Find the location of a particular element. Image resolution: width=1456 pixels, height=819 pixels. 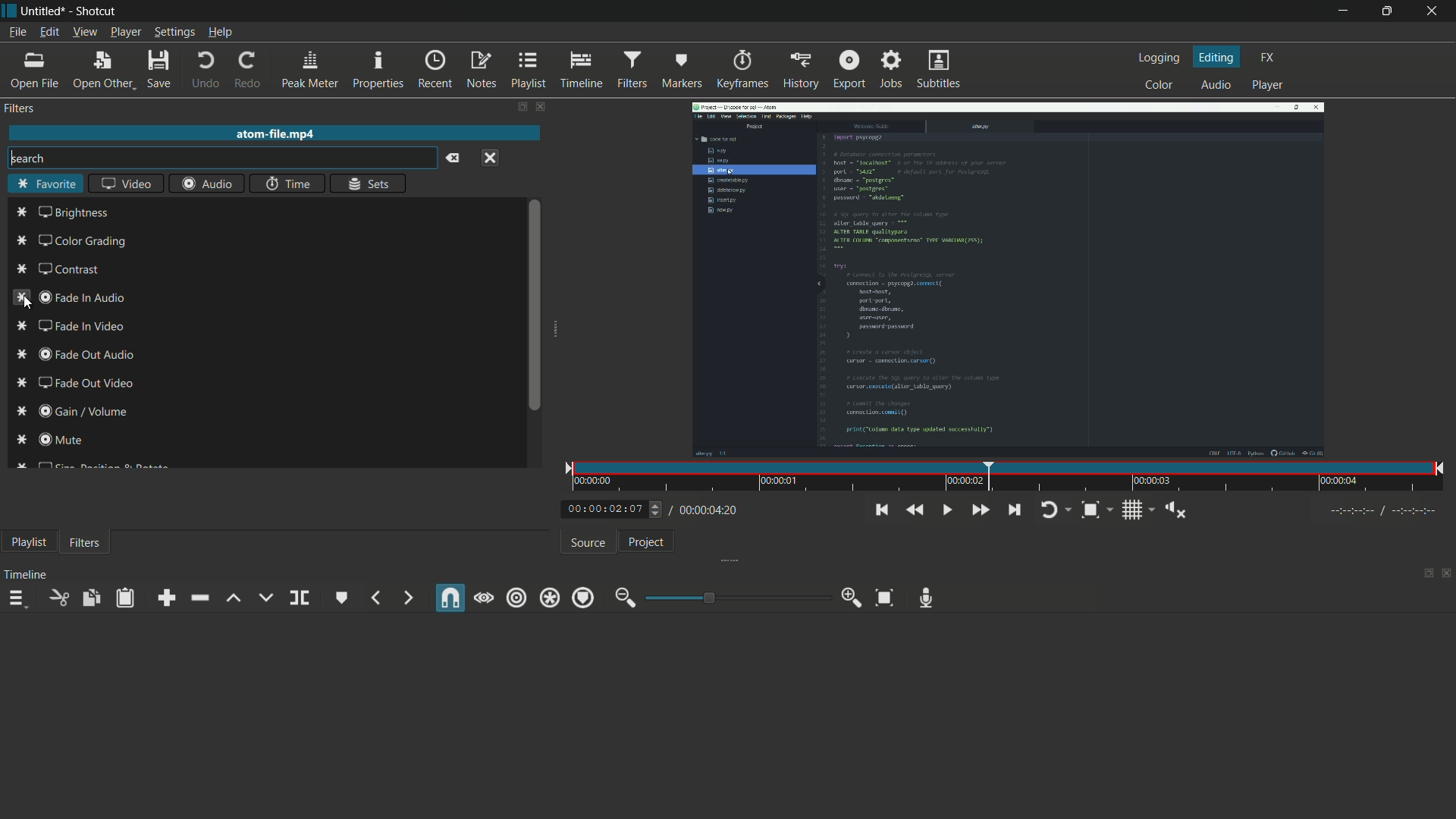

paste filters is located at coordinates (127, 598).